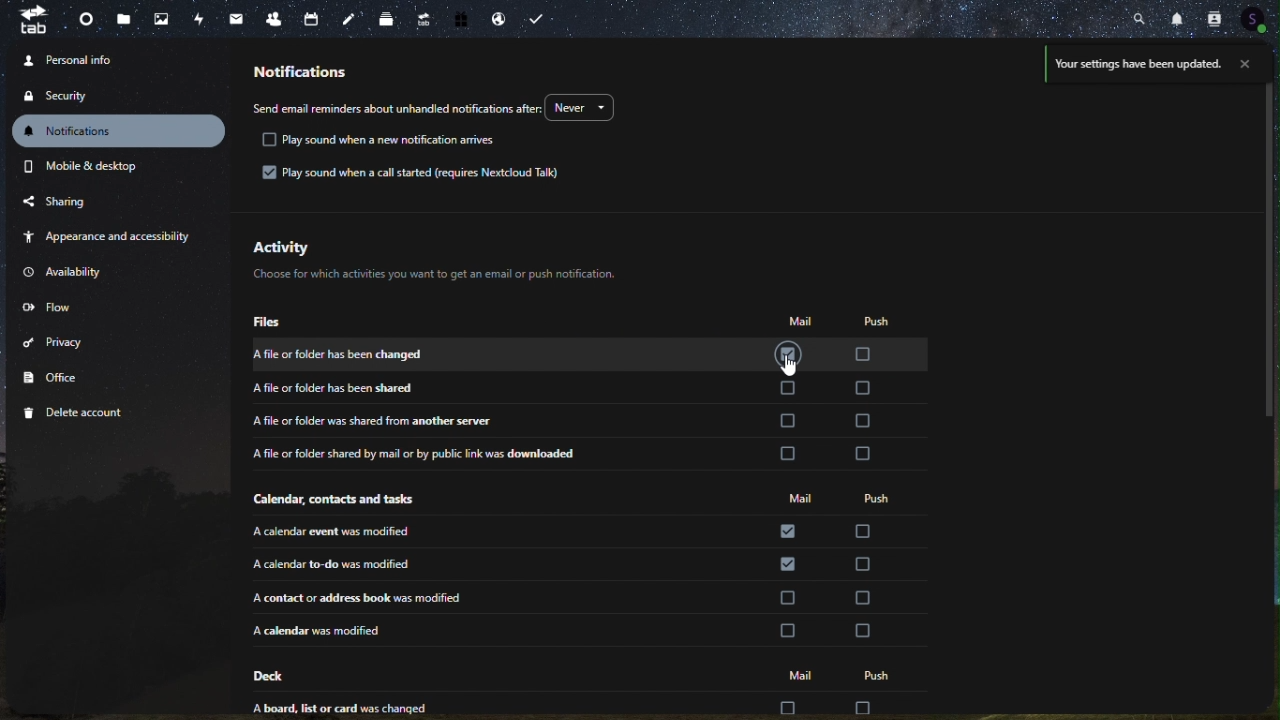  What do you see at coordinates (90, 413) in the screenshot?
I see `delete account` at bounding box center [90, 413].